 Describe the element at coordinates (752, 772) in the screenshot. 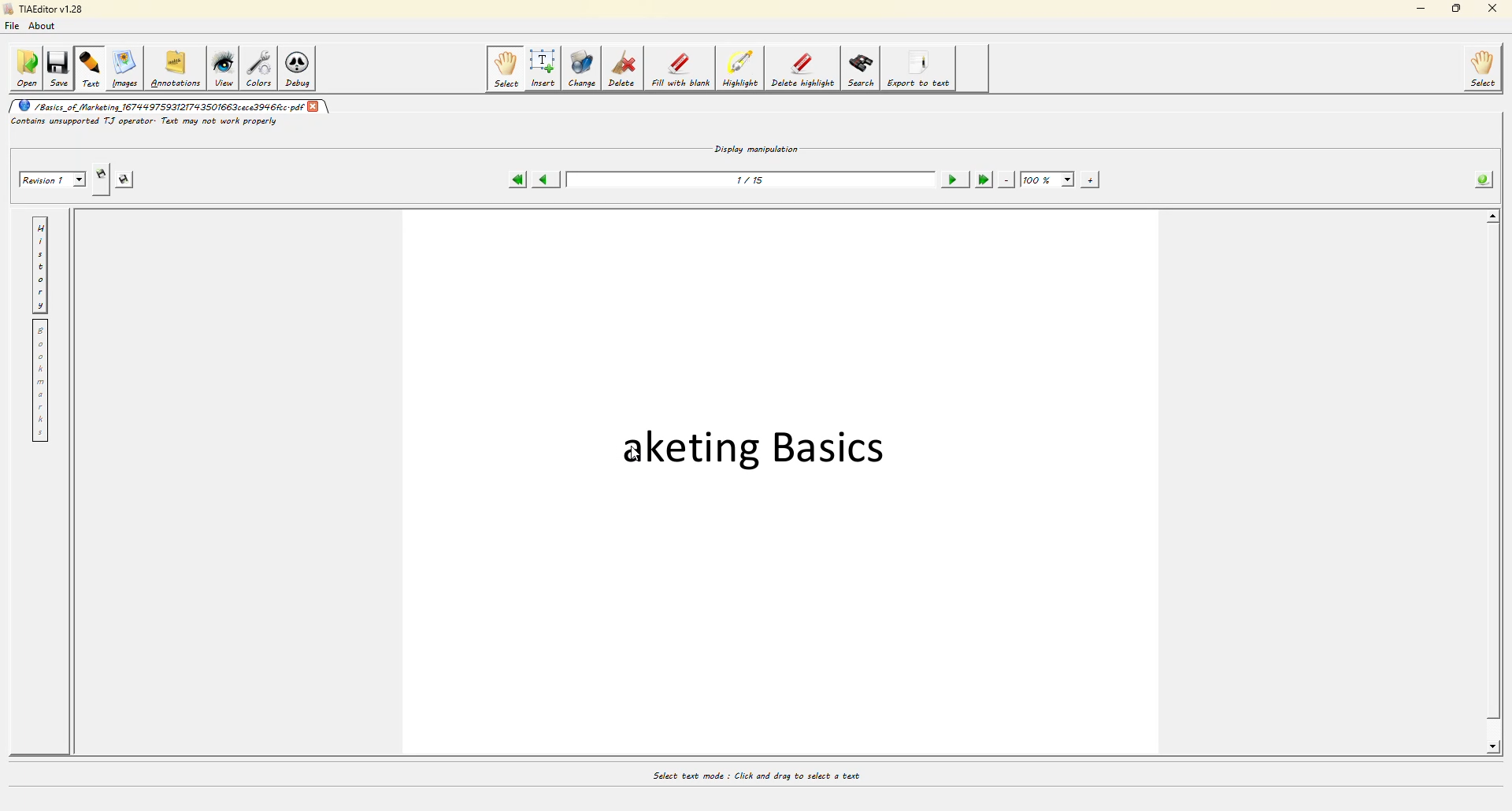

I see `select text mode: click and drag to select` at that location.